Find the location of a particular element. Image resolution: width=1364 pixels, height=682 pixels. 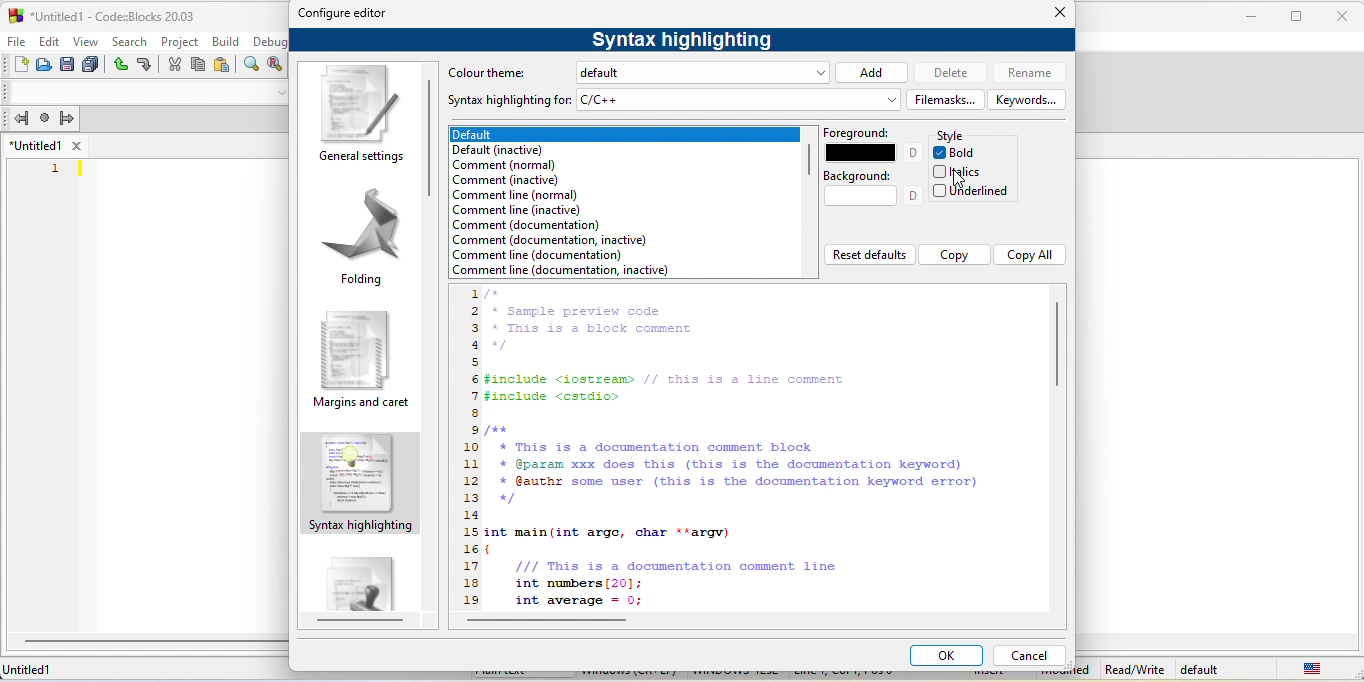

syntax highlighting is located at coordinates (361, 485).